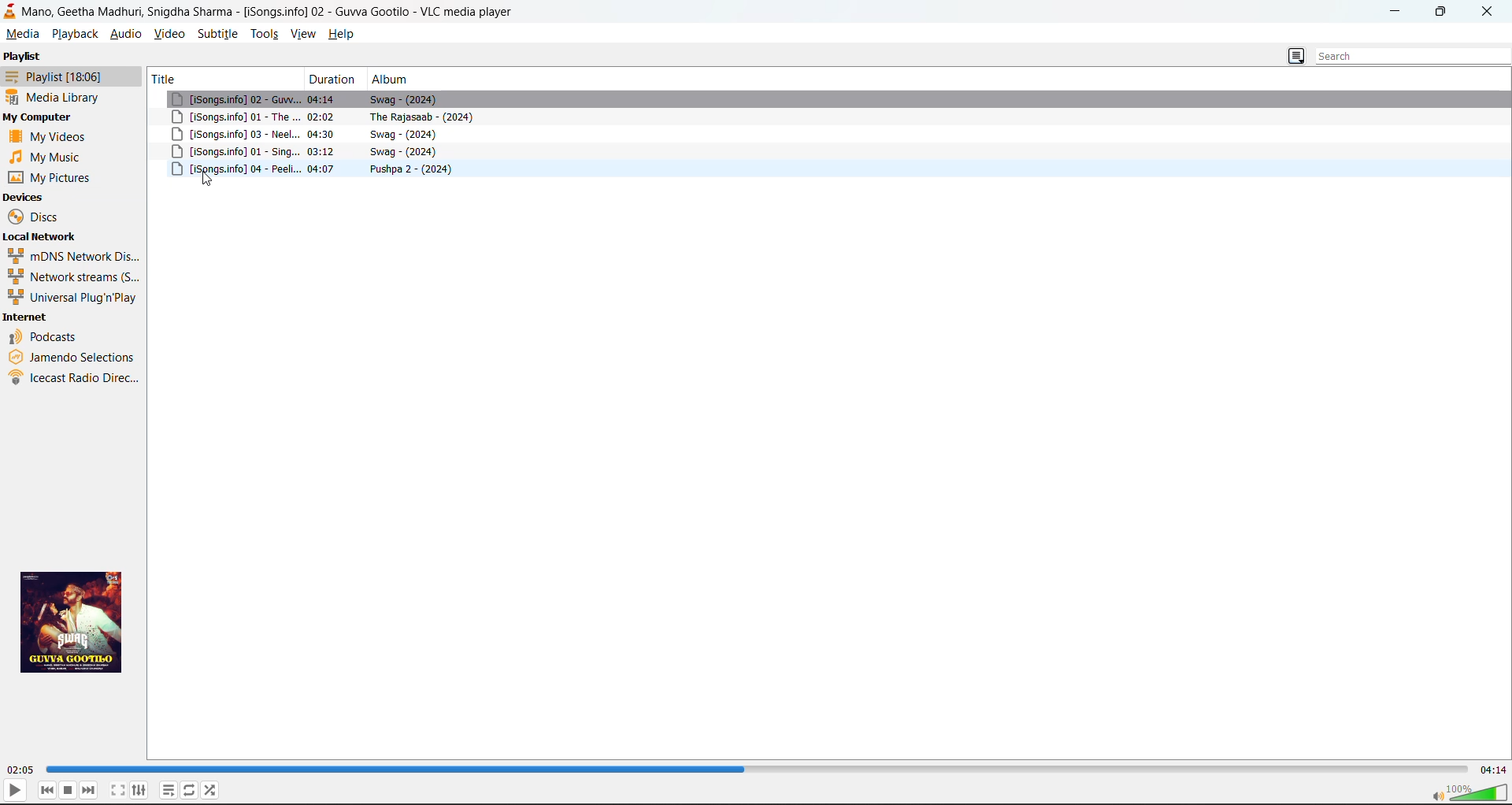  I want to click on icecast, so click(76, 380).